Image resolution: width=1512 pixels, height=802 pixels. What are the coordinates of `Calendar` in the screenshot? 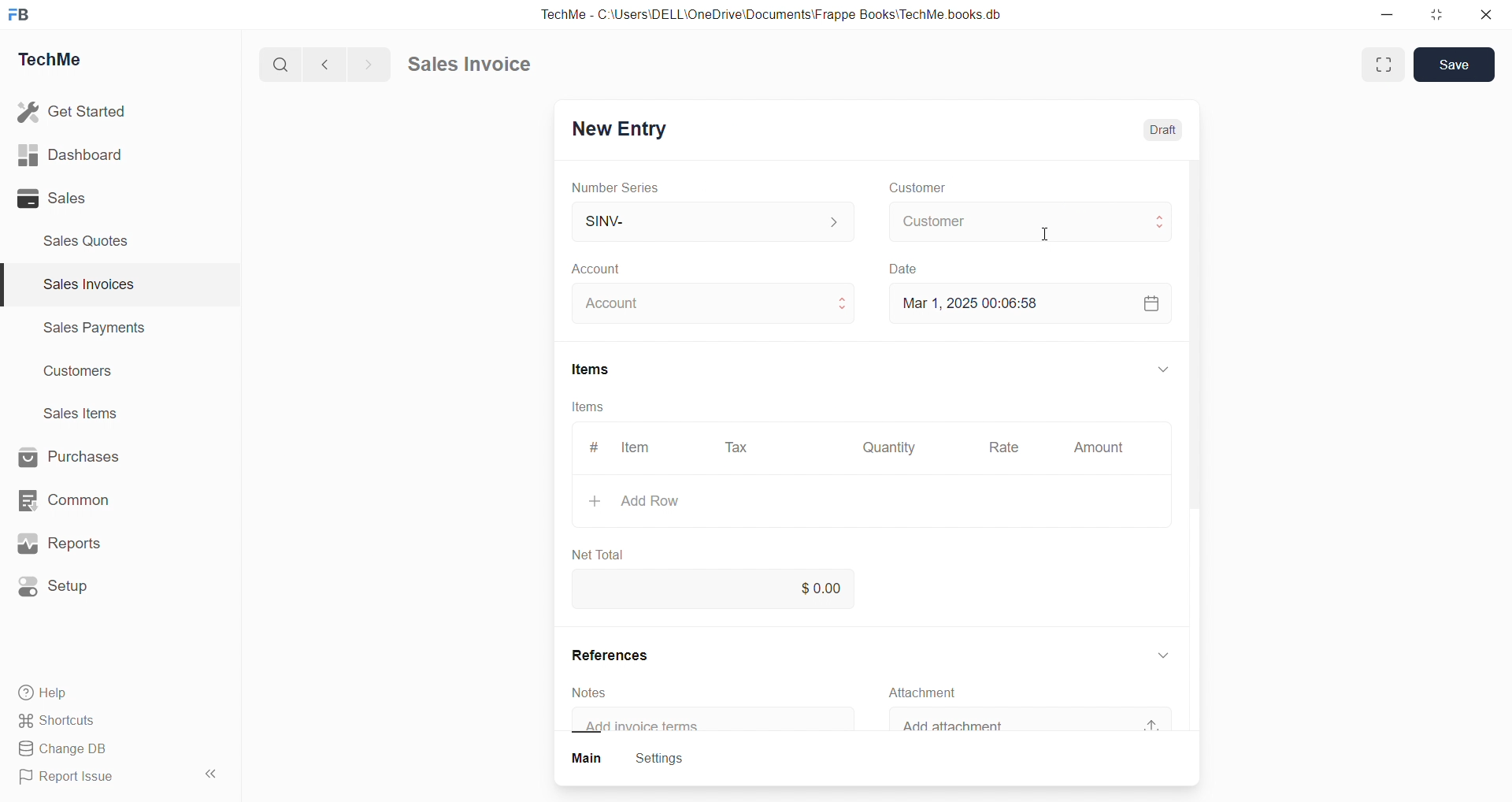 It's located at (1150, 302).